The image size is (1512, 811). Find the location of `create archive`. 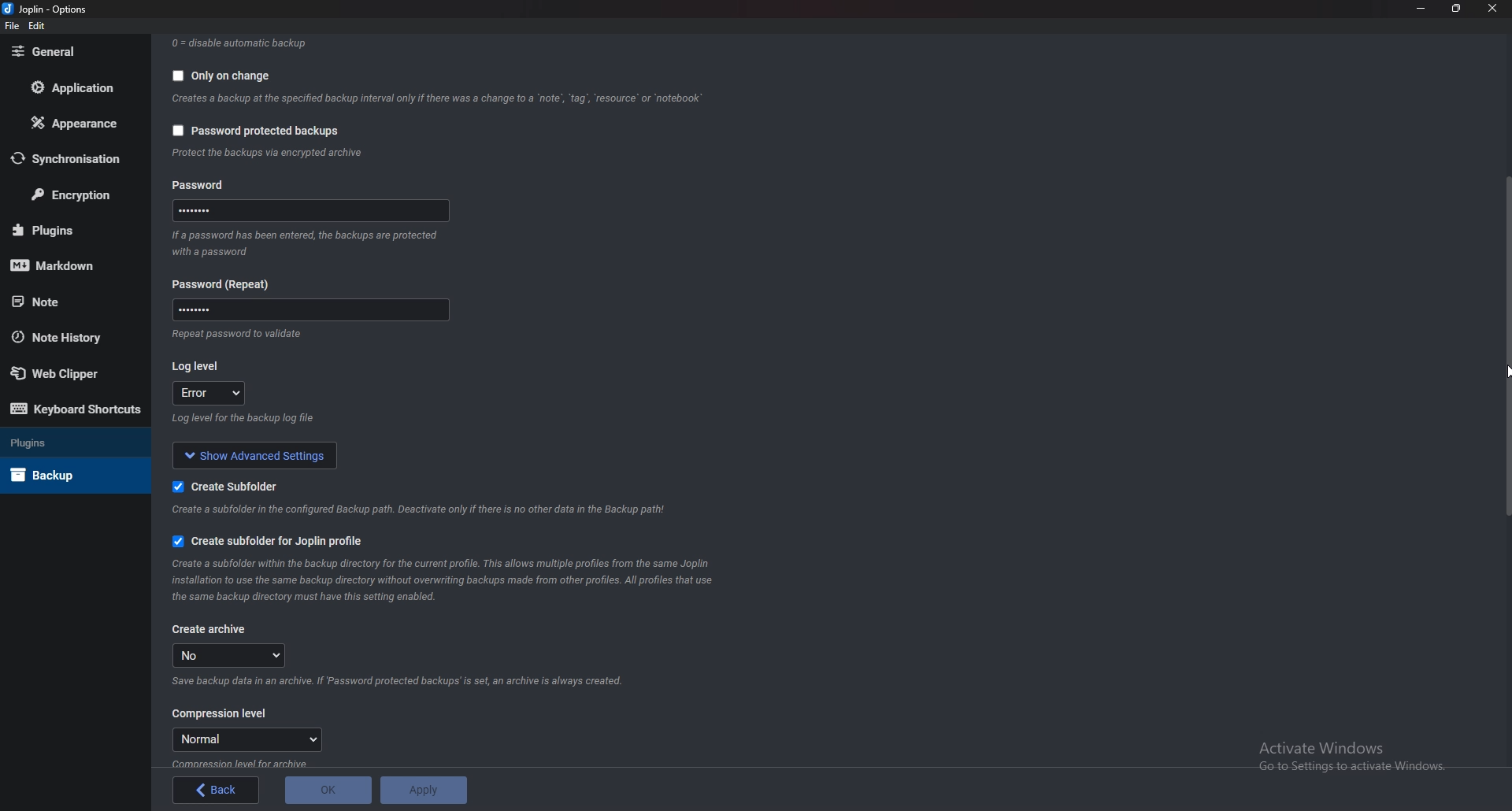

create archive is located at coordinates (215, 628).